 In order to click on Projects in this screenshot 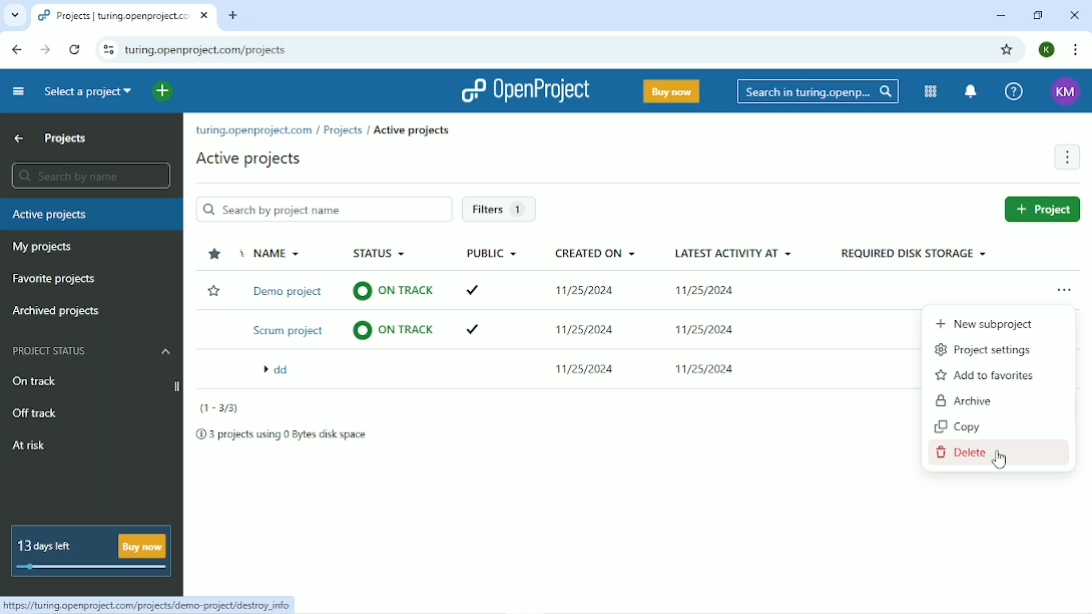, I will do `click(343, 131)`.